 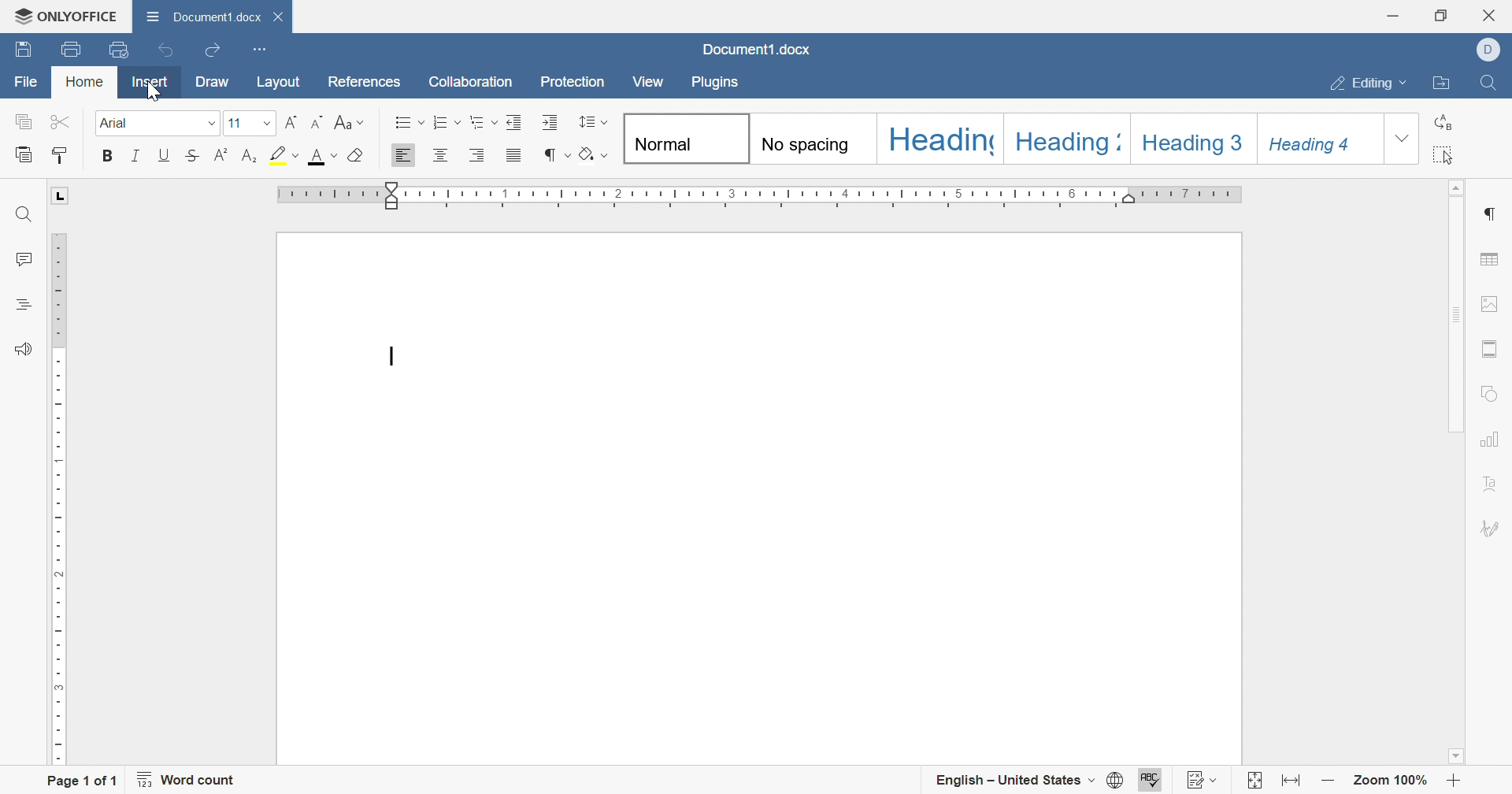 What do you see at coordinates (754, 49) in the screenshot?
I see `Document1.docx` at bounding box center [754, 49].